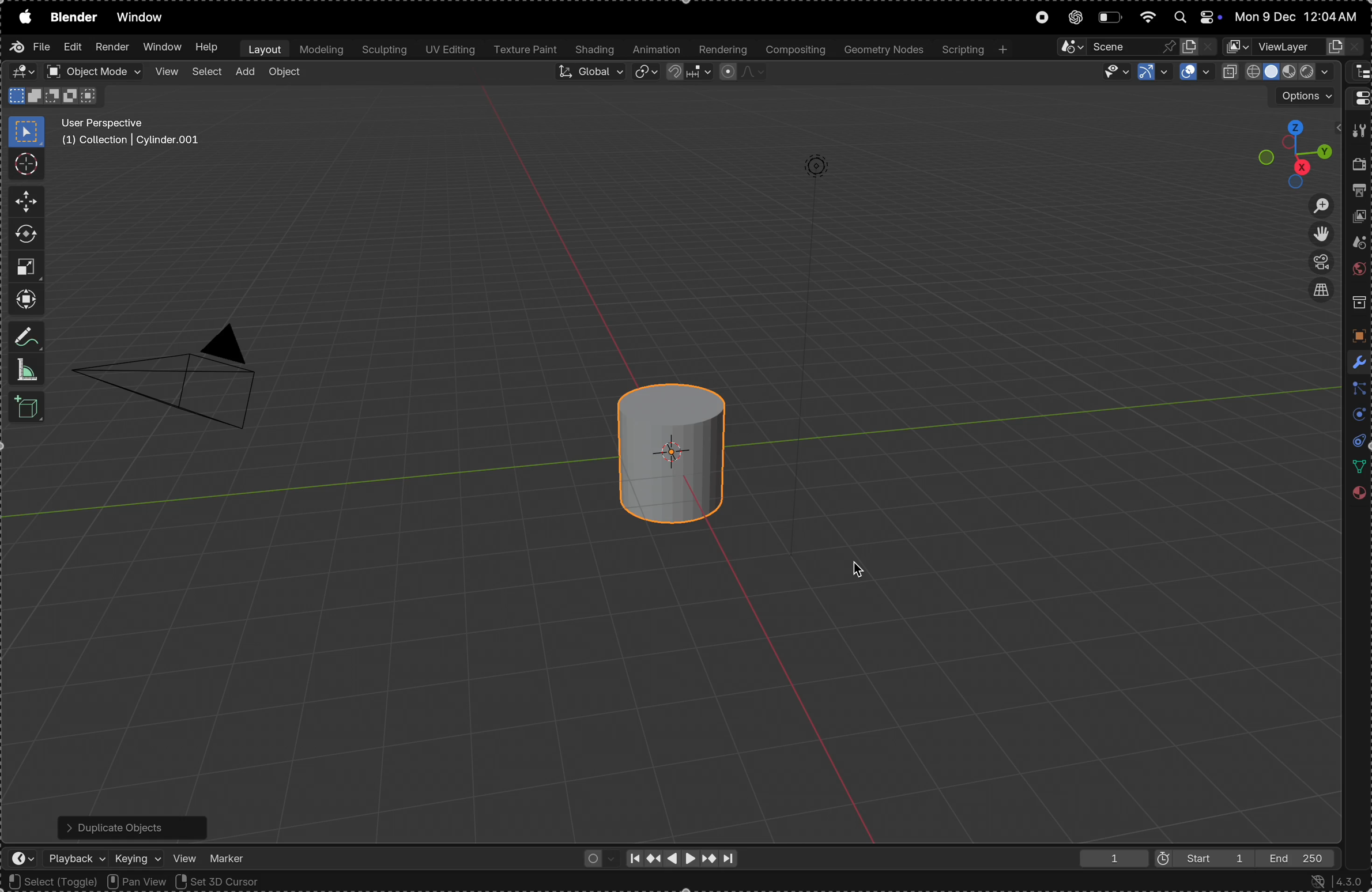 The image size is (1372, 892). What do you see at coordinates (1356, 467) in the screenshot?
I see `data` at bounding box center [1356, 467].